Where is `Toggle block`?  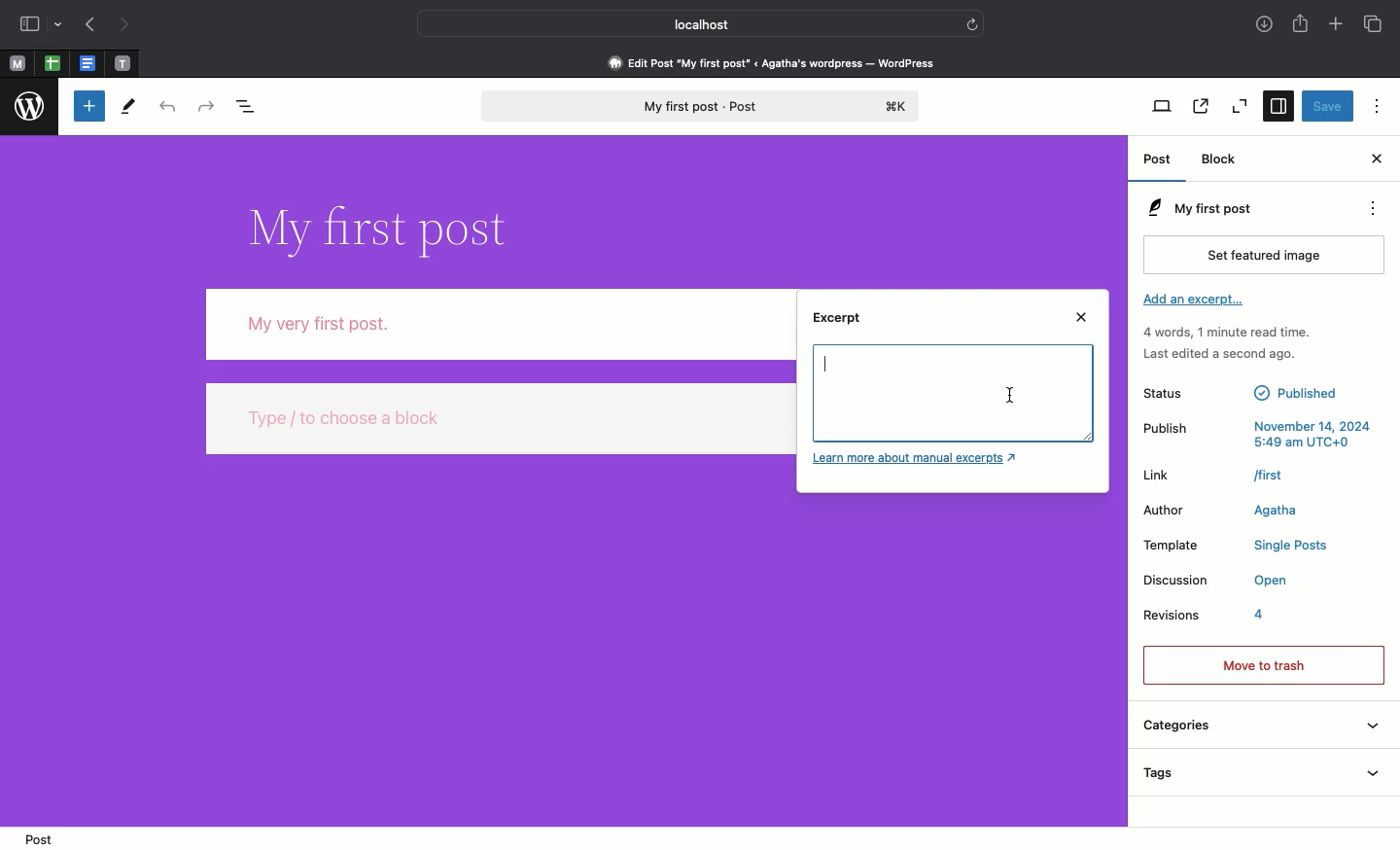
Toggle block is located at coordinates (87, 107).